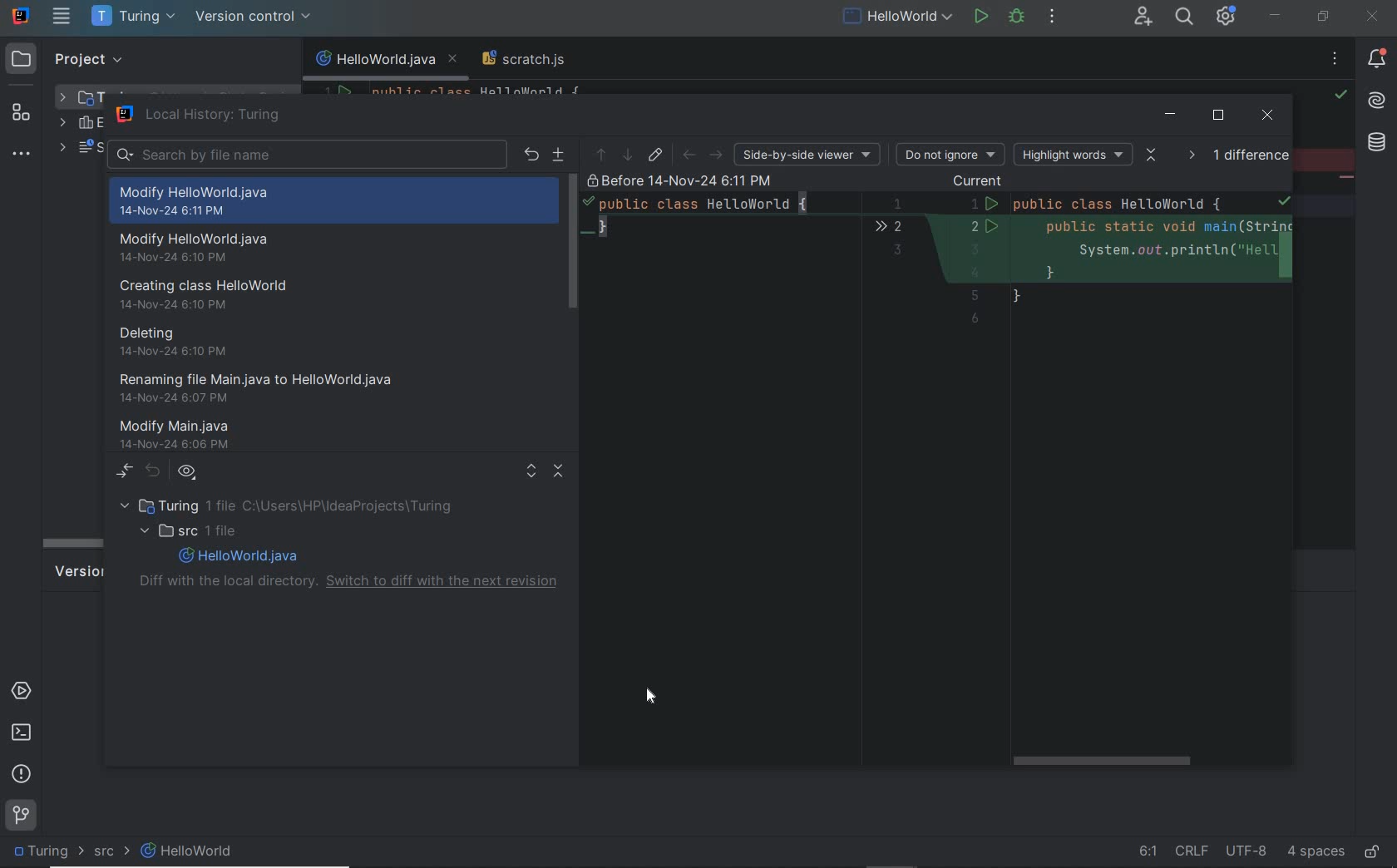 The width and height of the screenshot is (1397, 868). What do you see at coordinates (952, 154) in the screenshot?
I see `do not ignore` at bounding box center [952, 154].